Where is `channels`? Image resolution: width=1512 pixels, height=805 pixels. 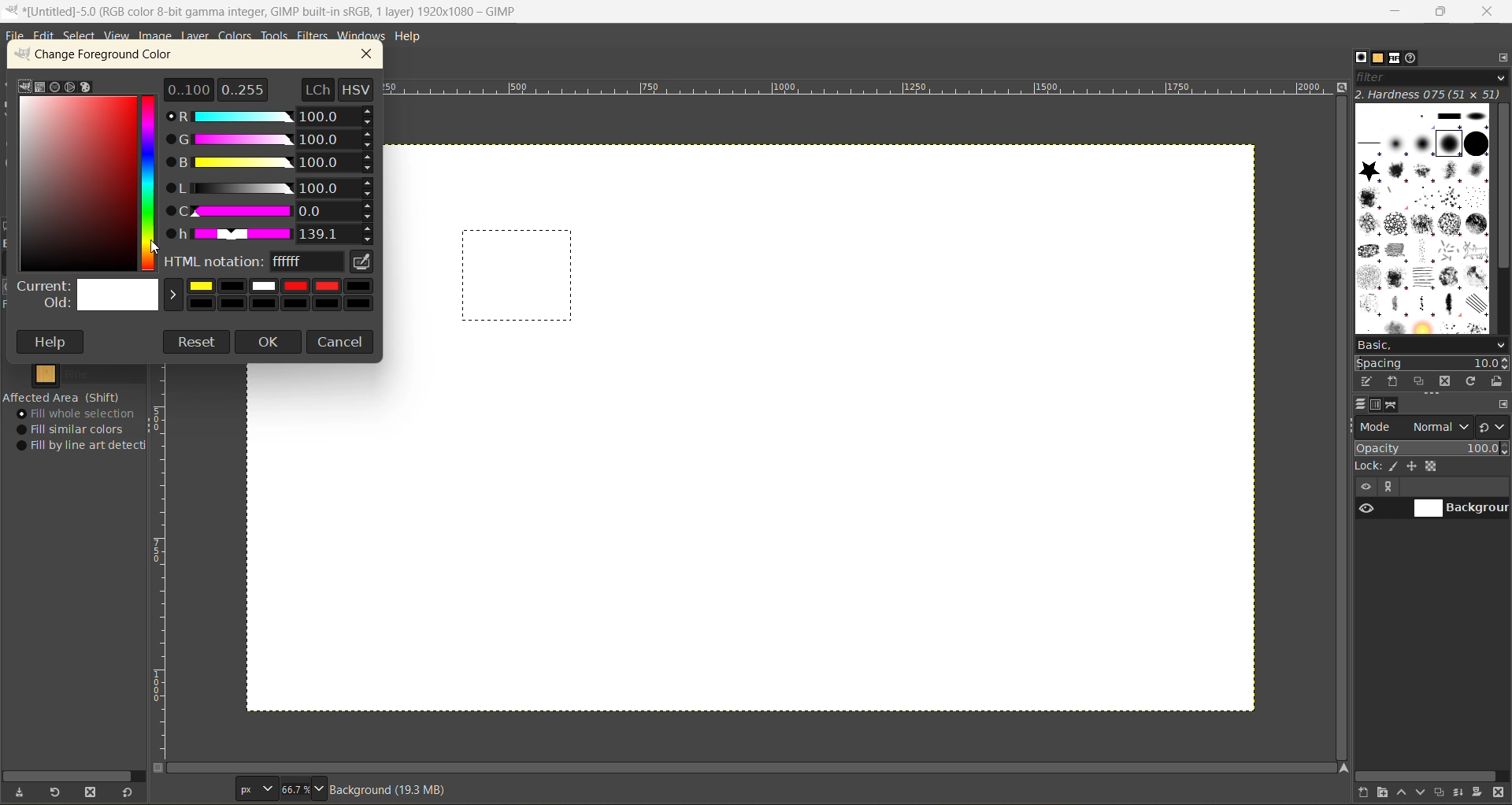 channels is located at coordinates (1378, 408).